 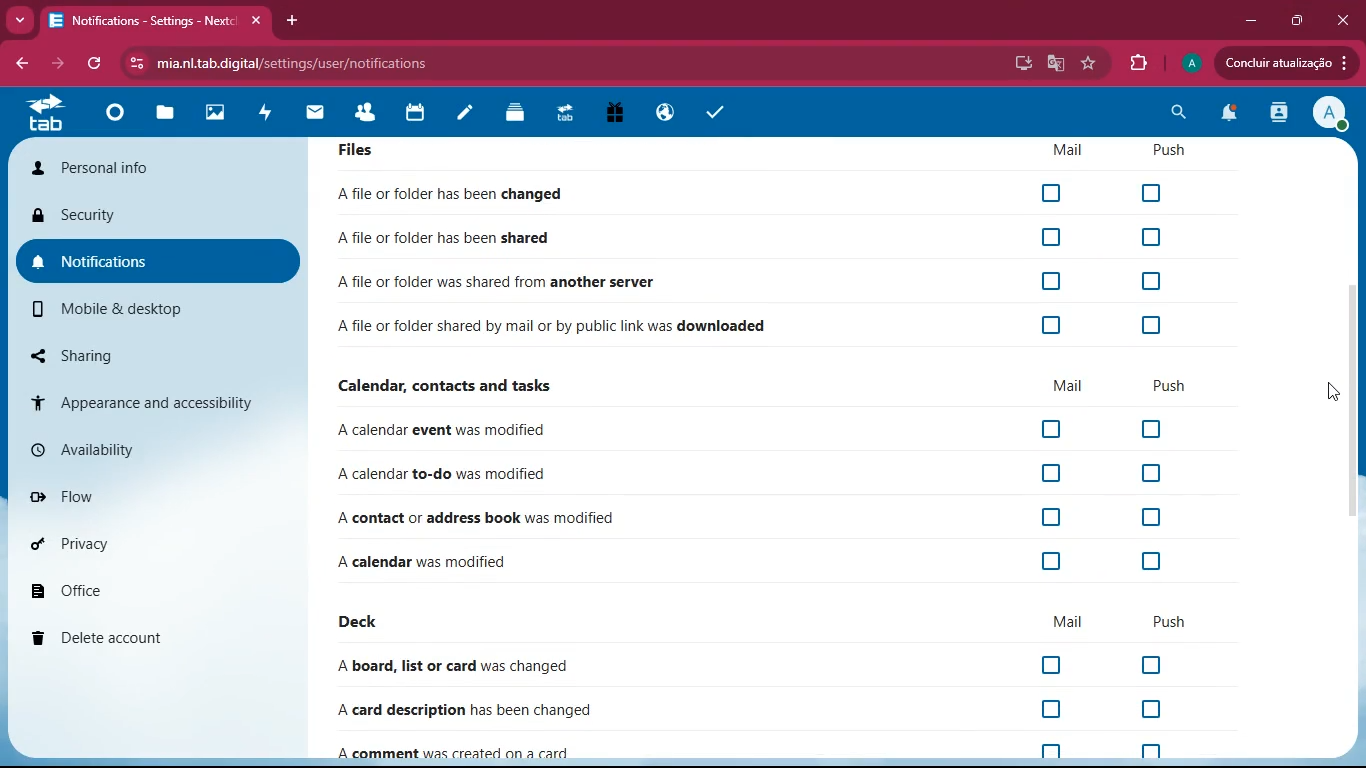 I want to click on board, so click(x=467, y=665).